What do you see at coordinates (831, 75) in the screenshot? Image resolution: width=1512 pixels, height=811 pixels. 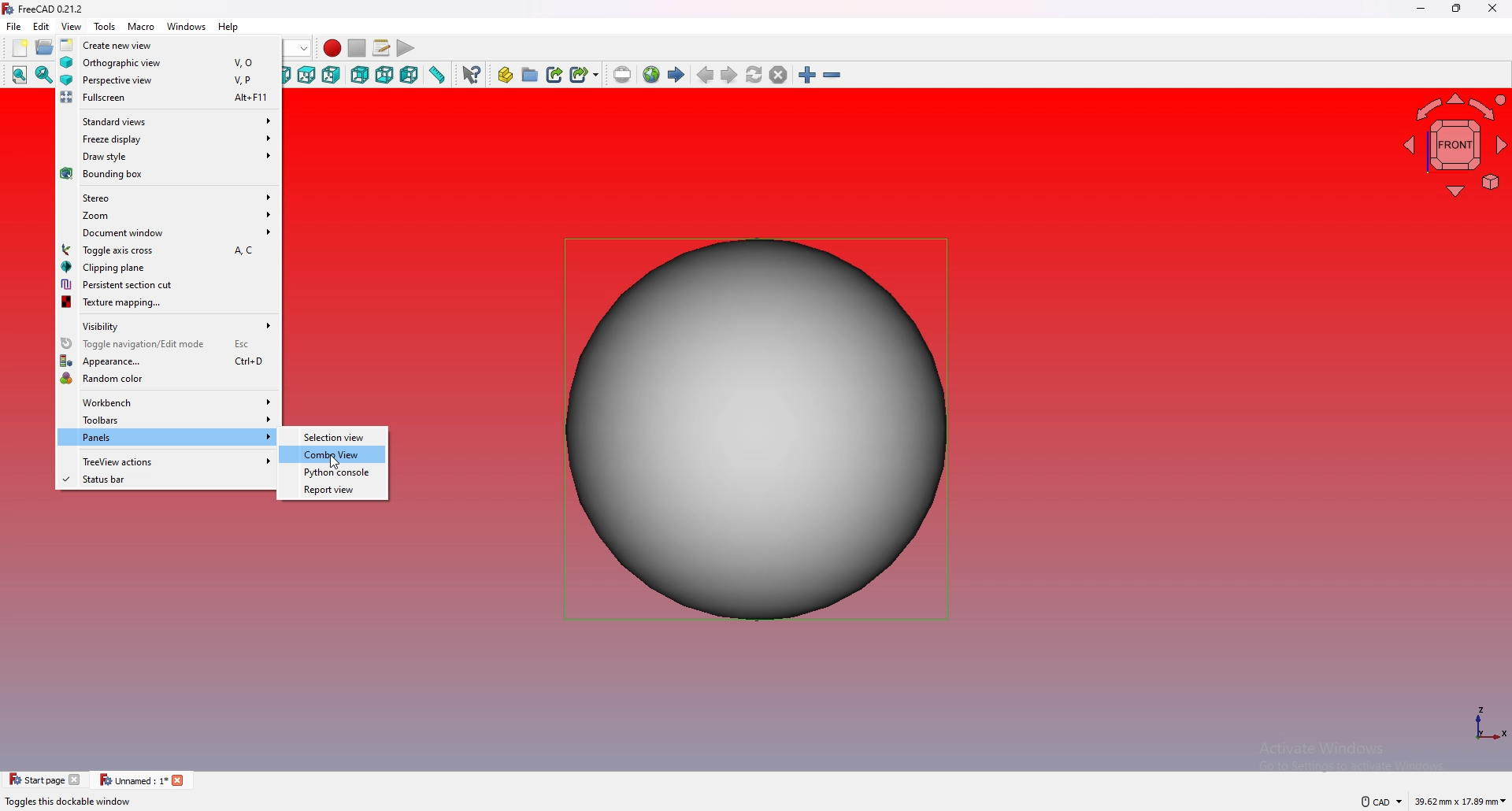 I see `zoom out` at bounding box center [831, 75].